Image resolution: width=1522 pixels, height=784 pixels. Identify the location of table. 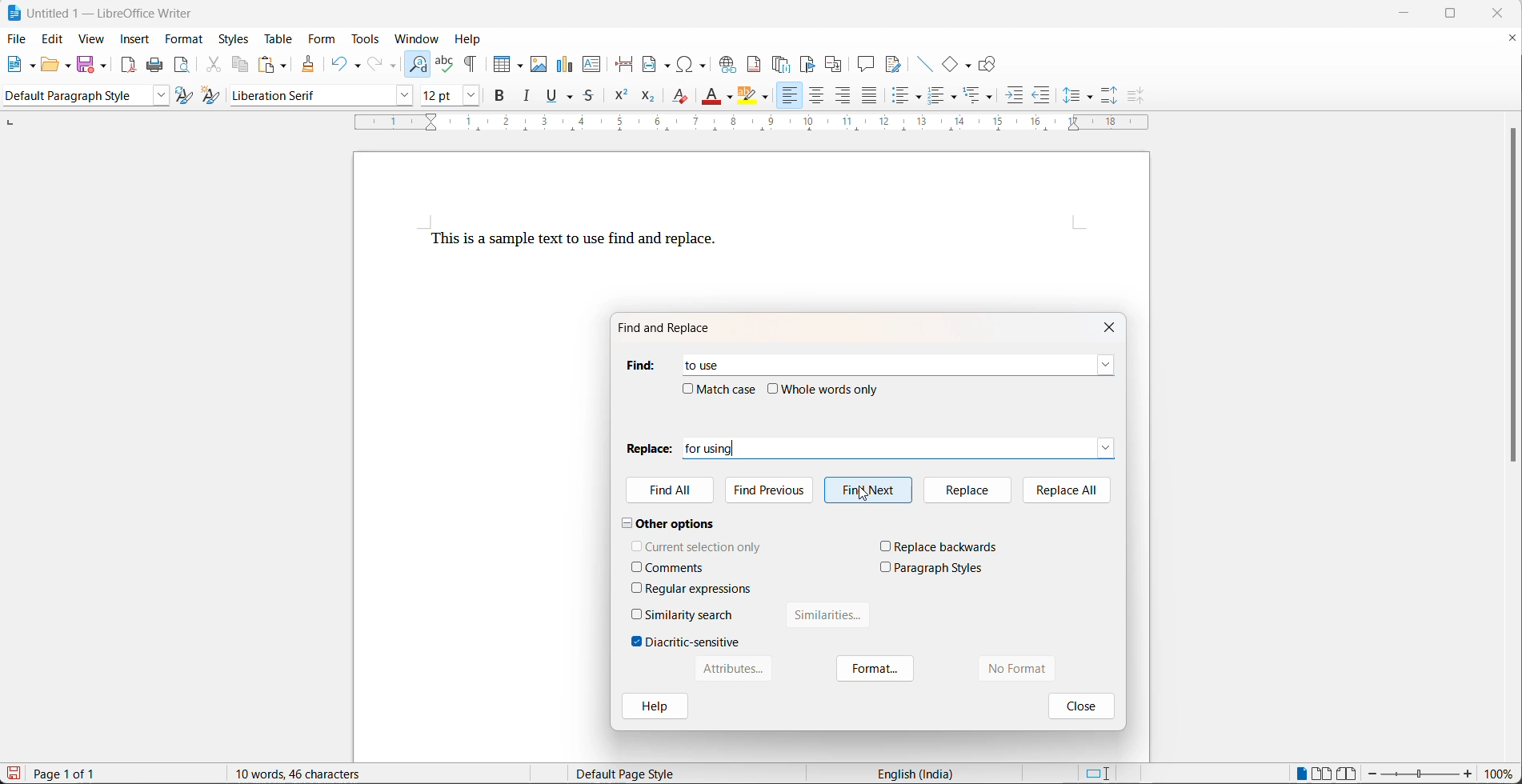
(276, 38).